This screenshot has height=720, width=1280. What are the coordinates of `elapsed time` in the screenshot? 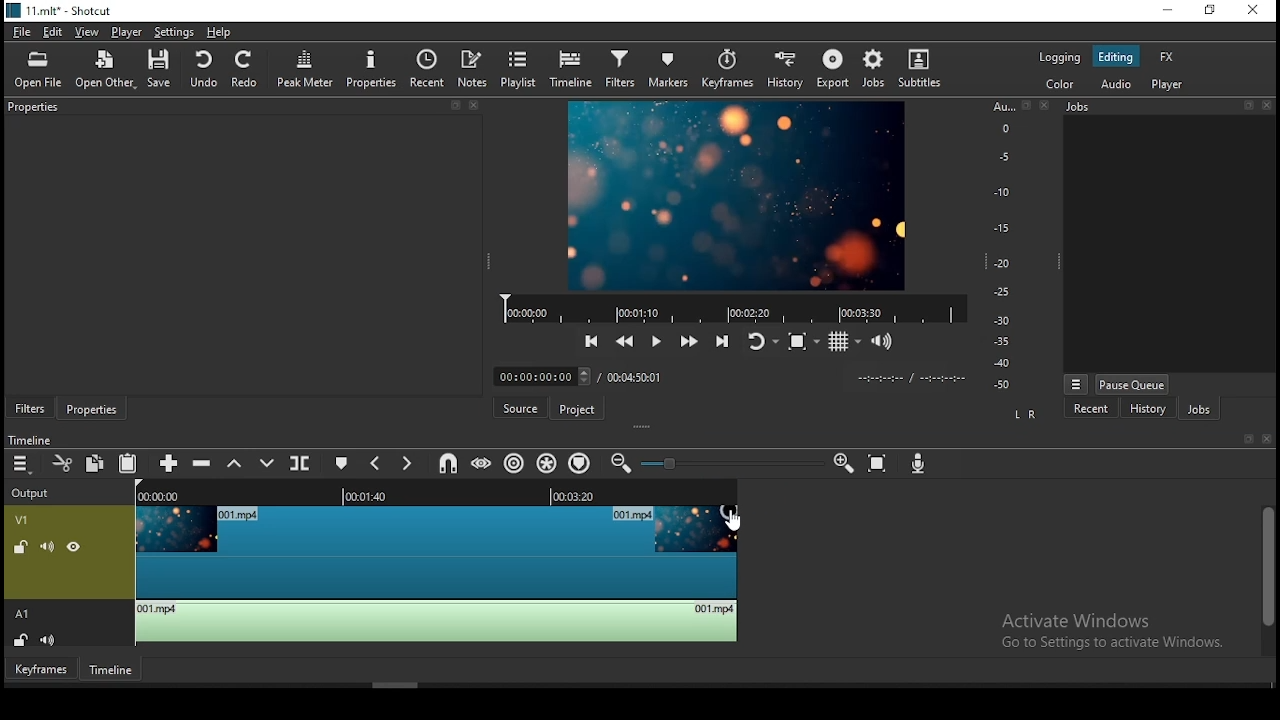 It's located at (537, 378).